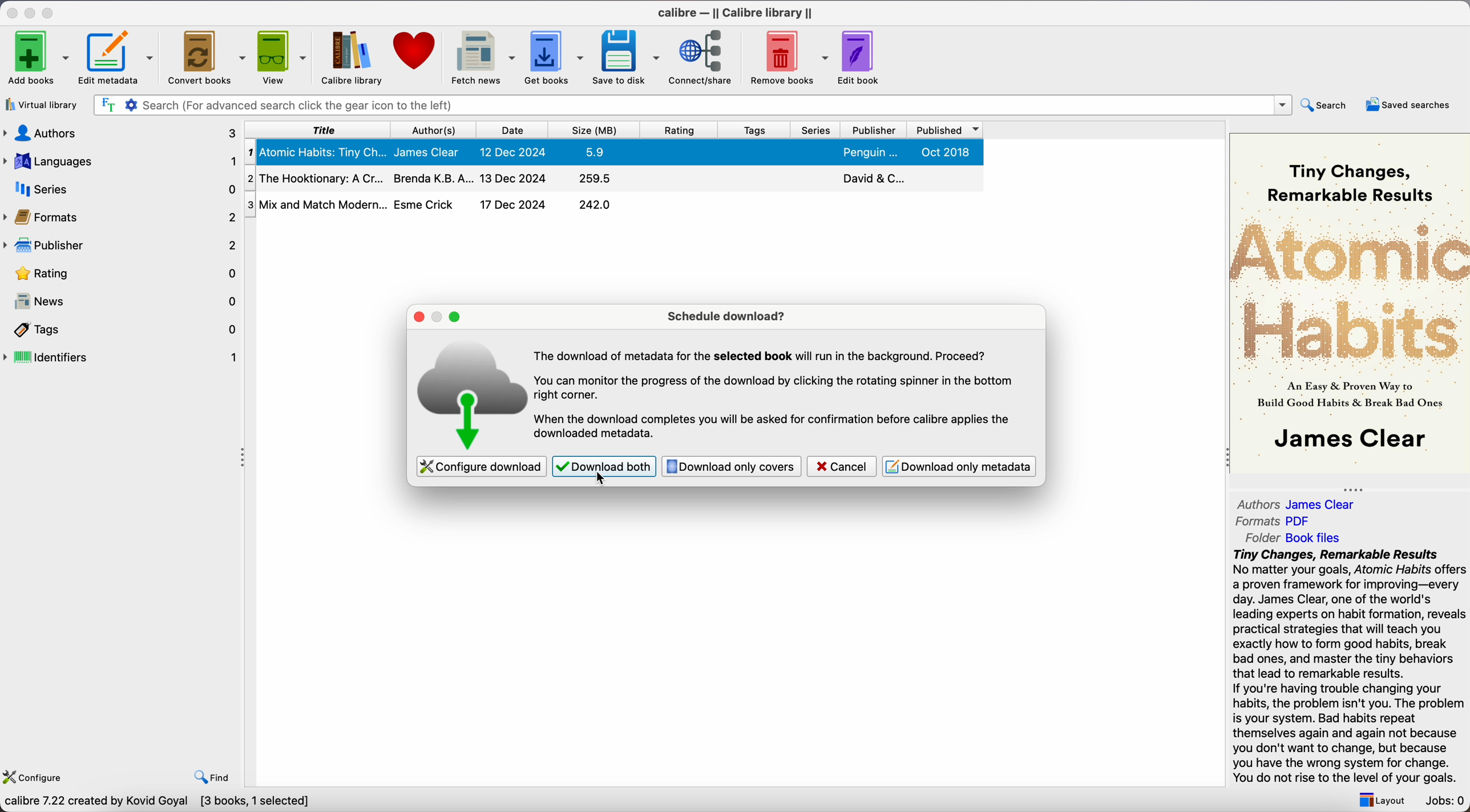 This screenshot has width=1470, height=812. I want to click on layout, so click(1381, 801).